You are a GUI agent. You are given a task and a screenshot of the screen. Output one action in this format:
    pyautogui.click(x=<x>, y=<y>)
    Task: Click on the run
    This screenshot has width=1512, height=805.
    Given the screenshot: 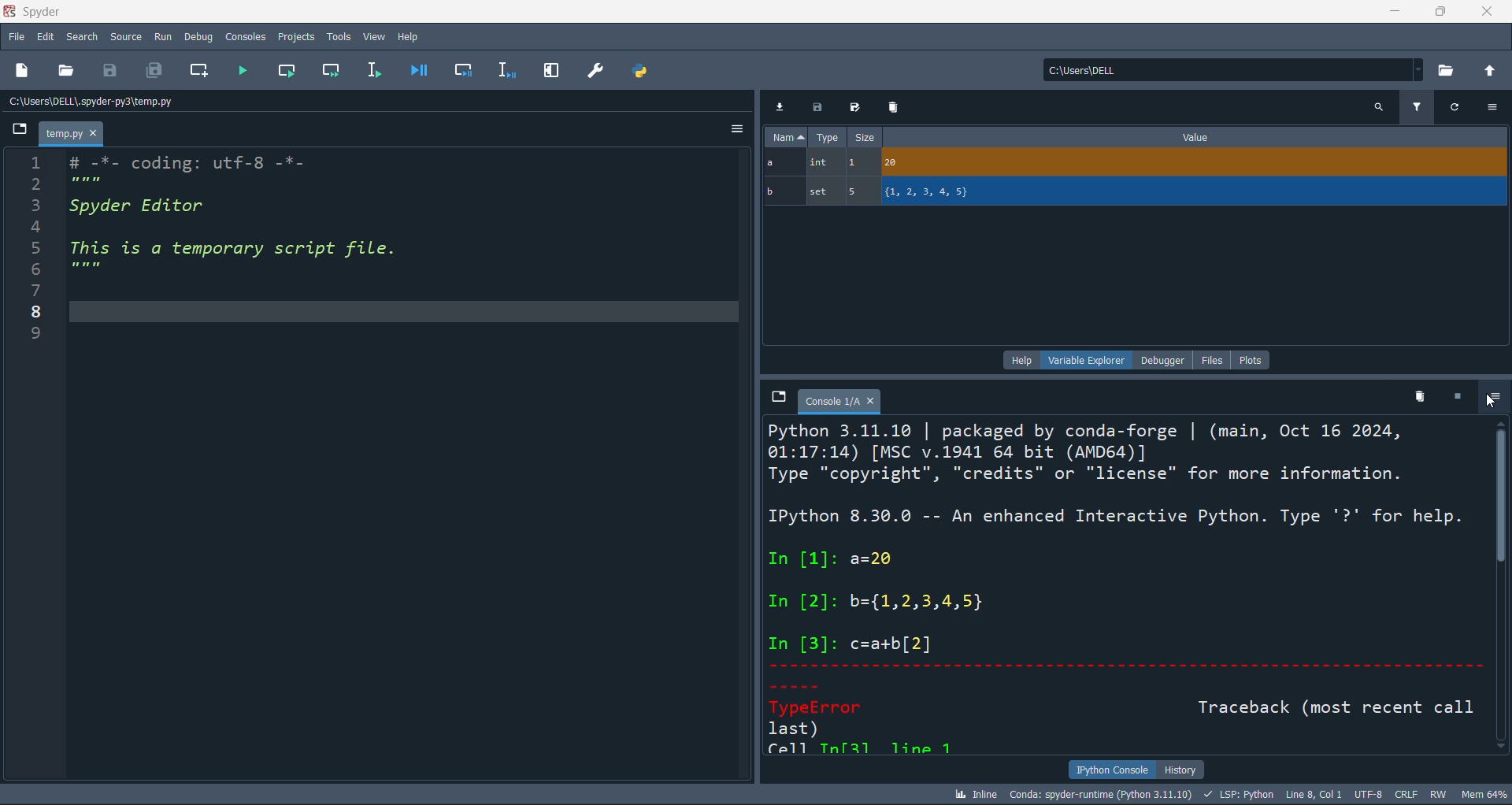 What is the action you would take?
    pyautogui.click(x=161, y=36)
    